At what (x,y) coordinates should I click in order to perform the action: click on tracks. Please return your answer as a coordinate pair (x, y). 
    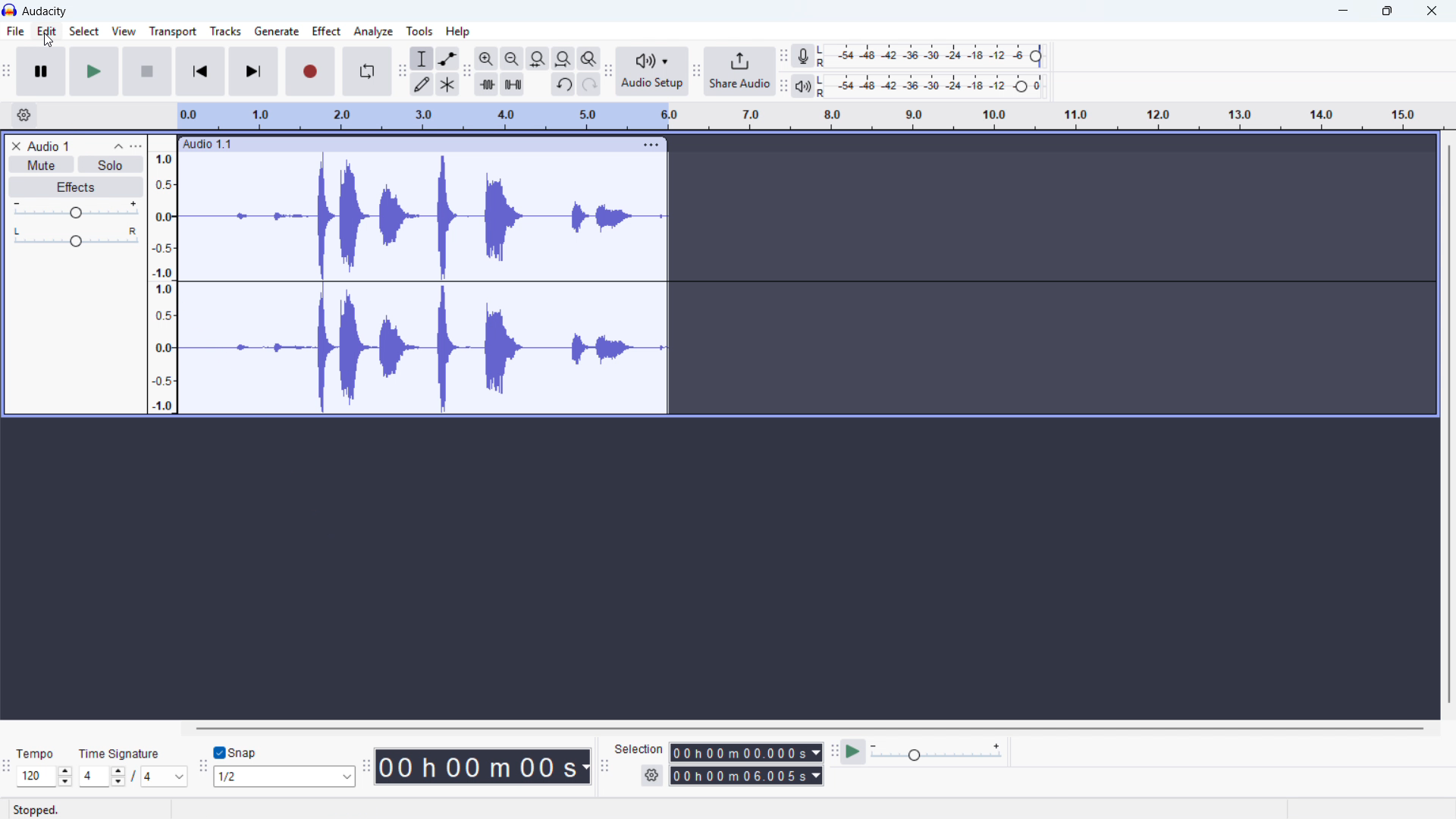
    Looking at the image, I should click on (226, 31).